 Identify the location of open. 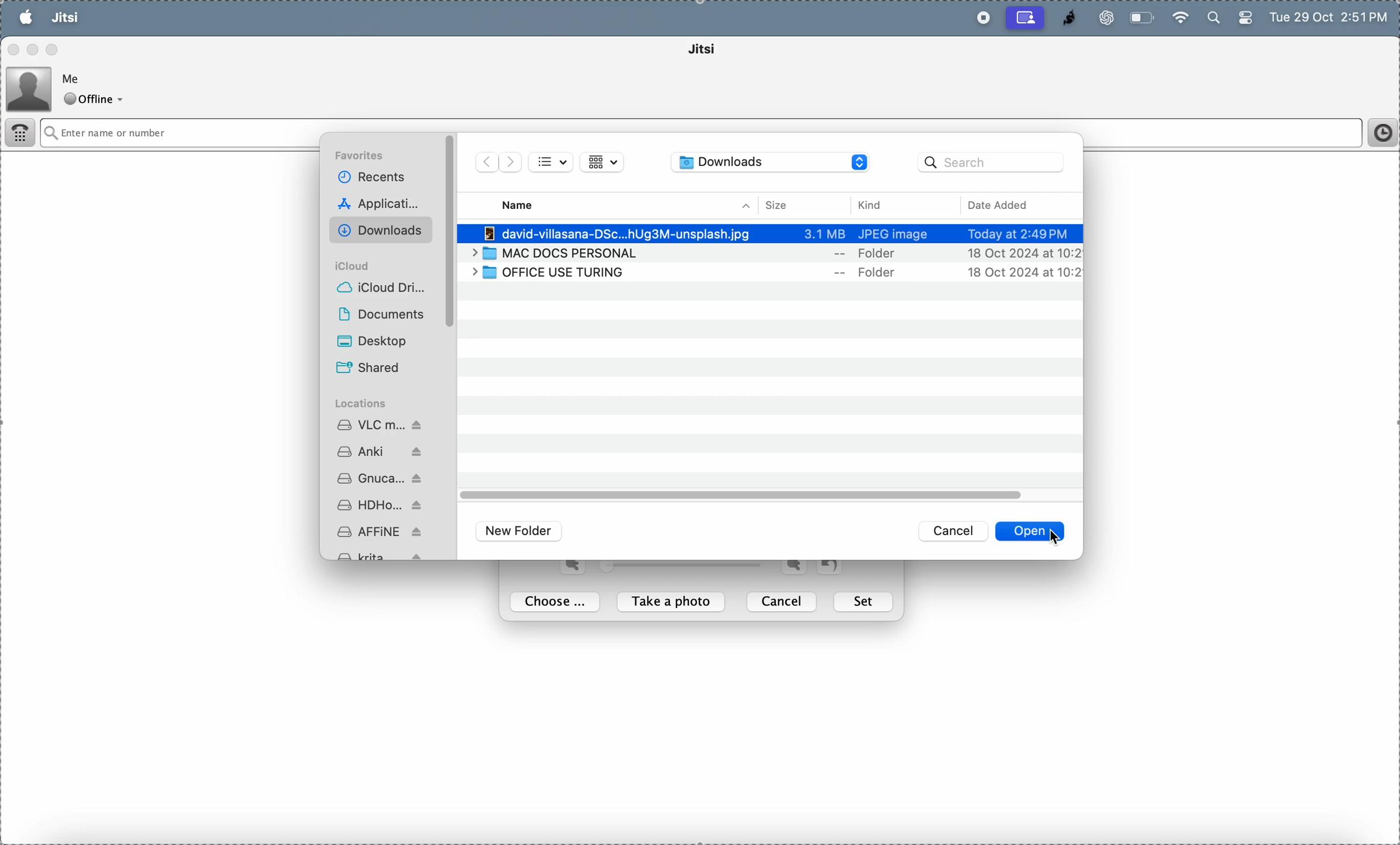
(1032, 531).